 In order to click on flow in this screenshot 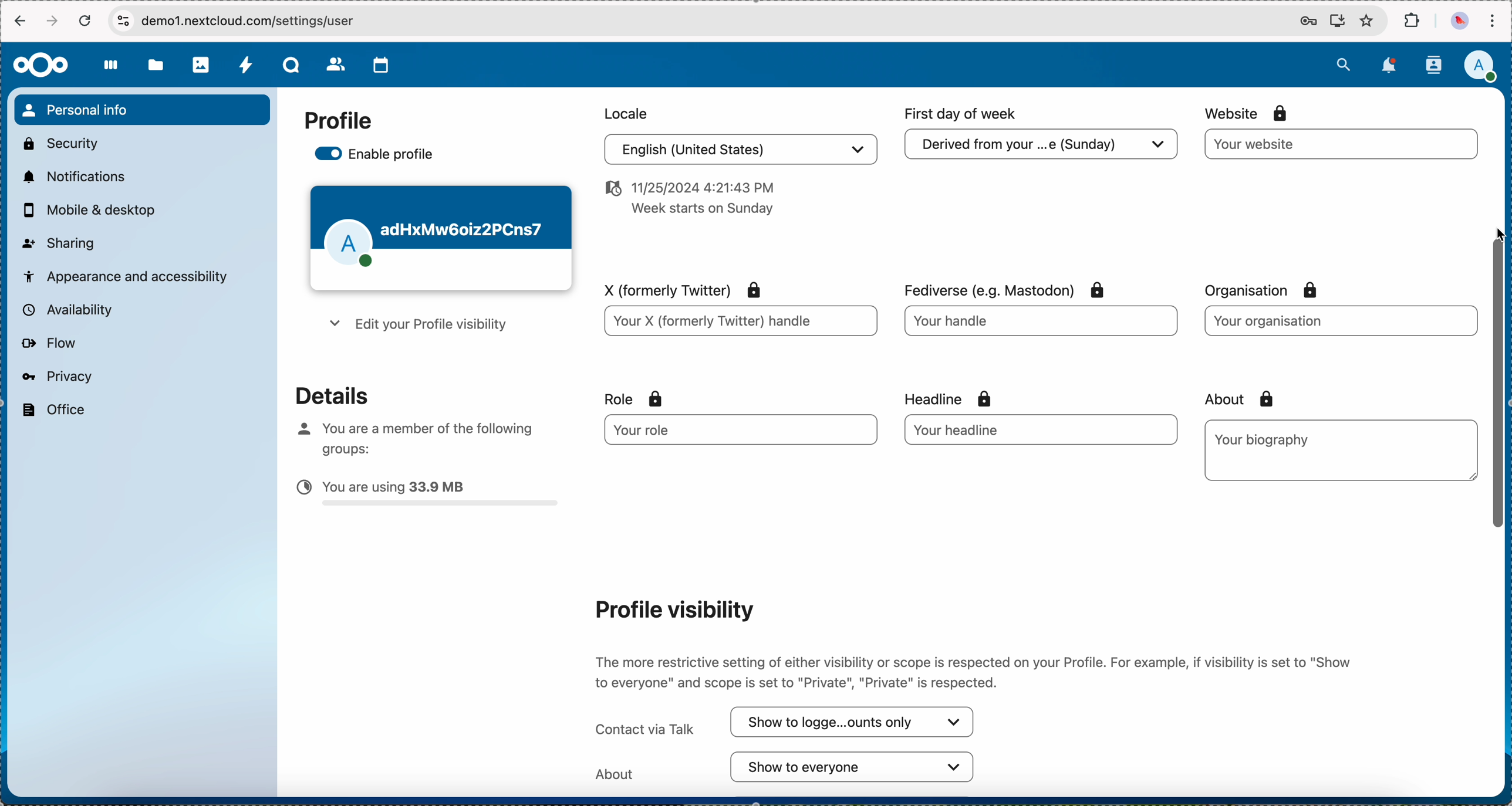, I will do `click(48, 344)`.